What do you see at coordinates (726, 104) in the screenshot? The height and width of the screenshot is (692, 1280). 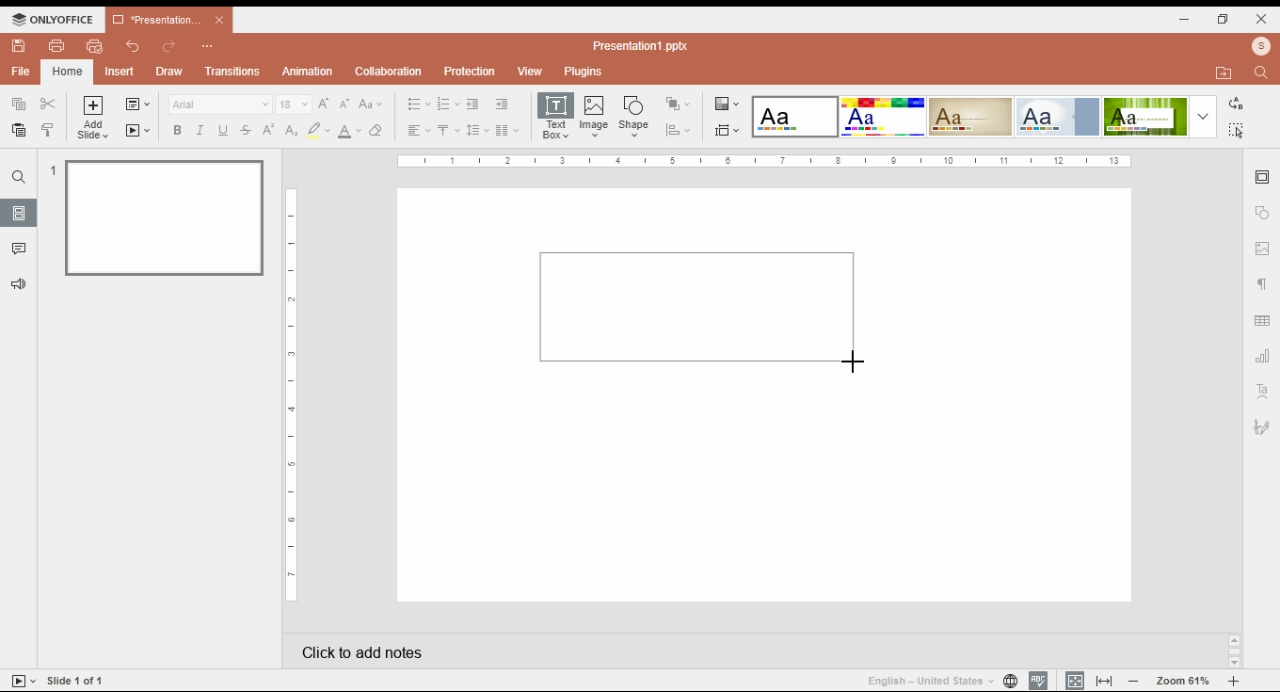 I see `color themes` at bounding box center [726, 104].